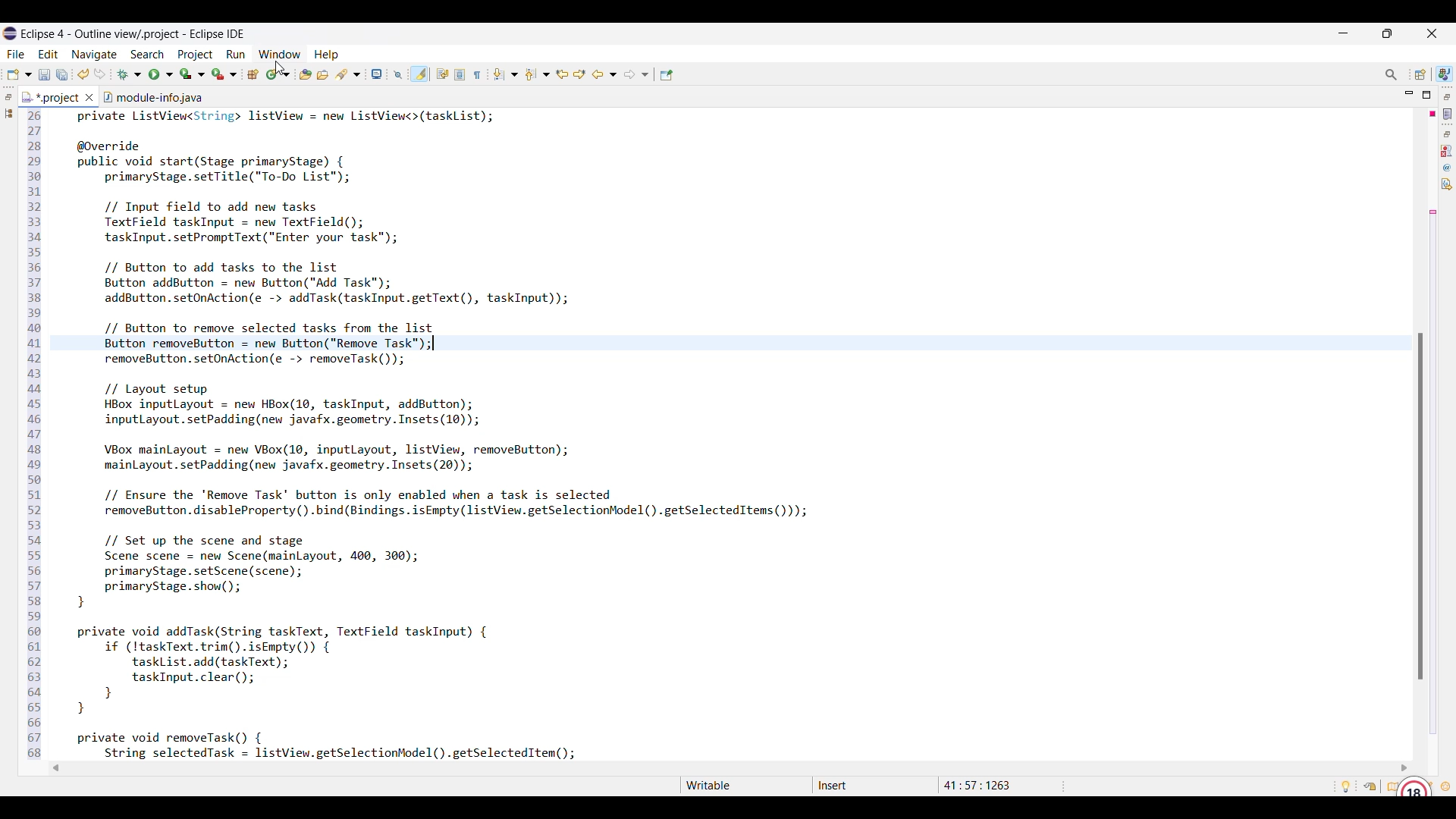  Describe the element at coordinates (1448, 114) in the screenshot. I see `Task list` at that location.